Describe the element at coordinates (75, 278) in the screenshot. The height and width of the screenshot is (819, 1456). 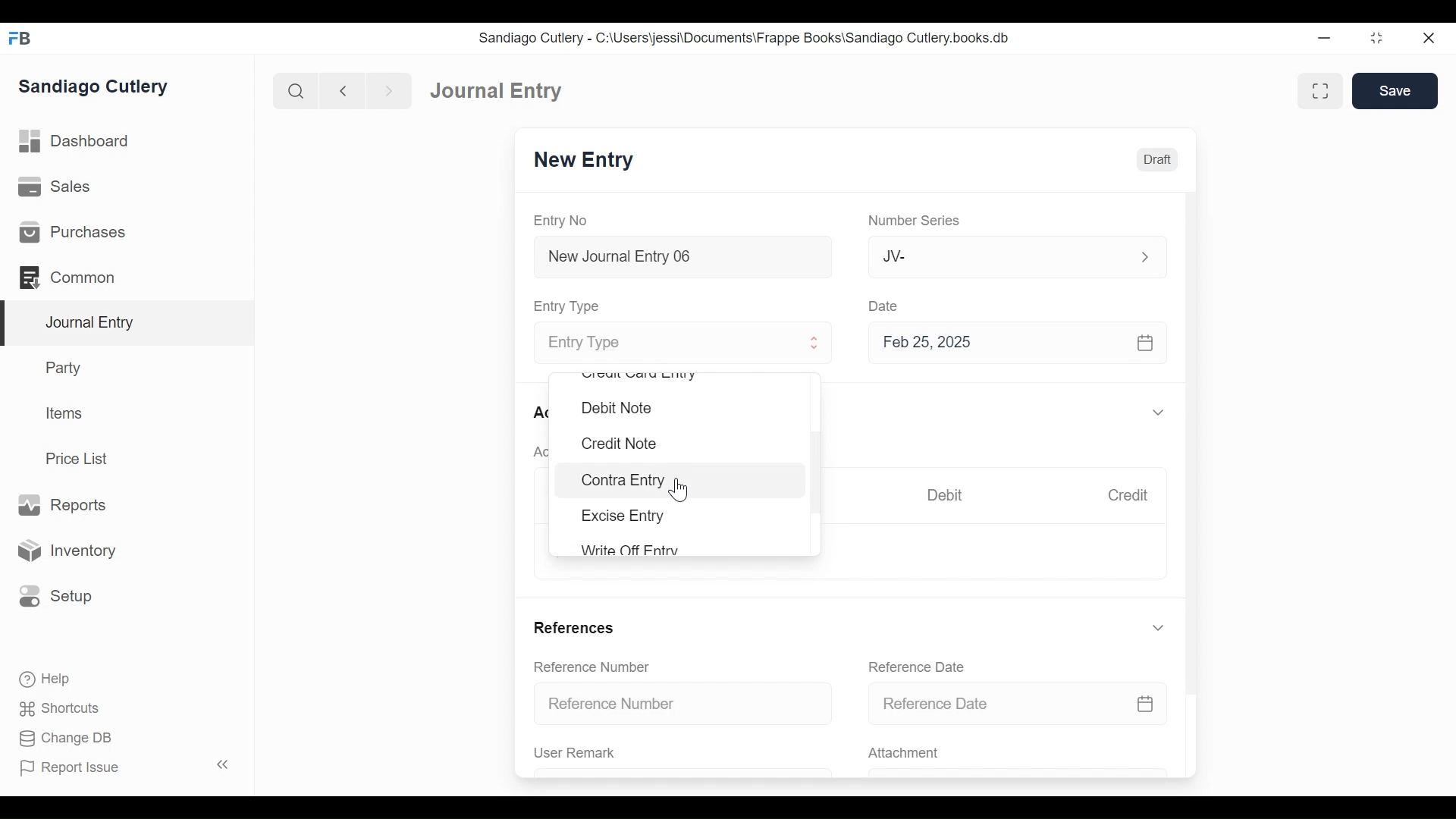
I see `Common` at that location.